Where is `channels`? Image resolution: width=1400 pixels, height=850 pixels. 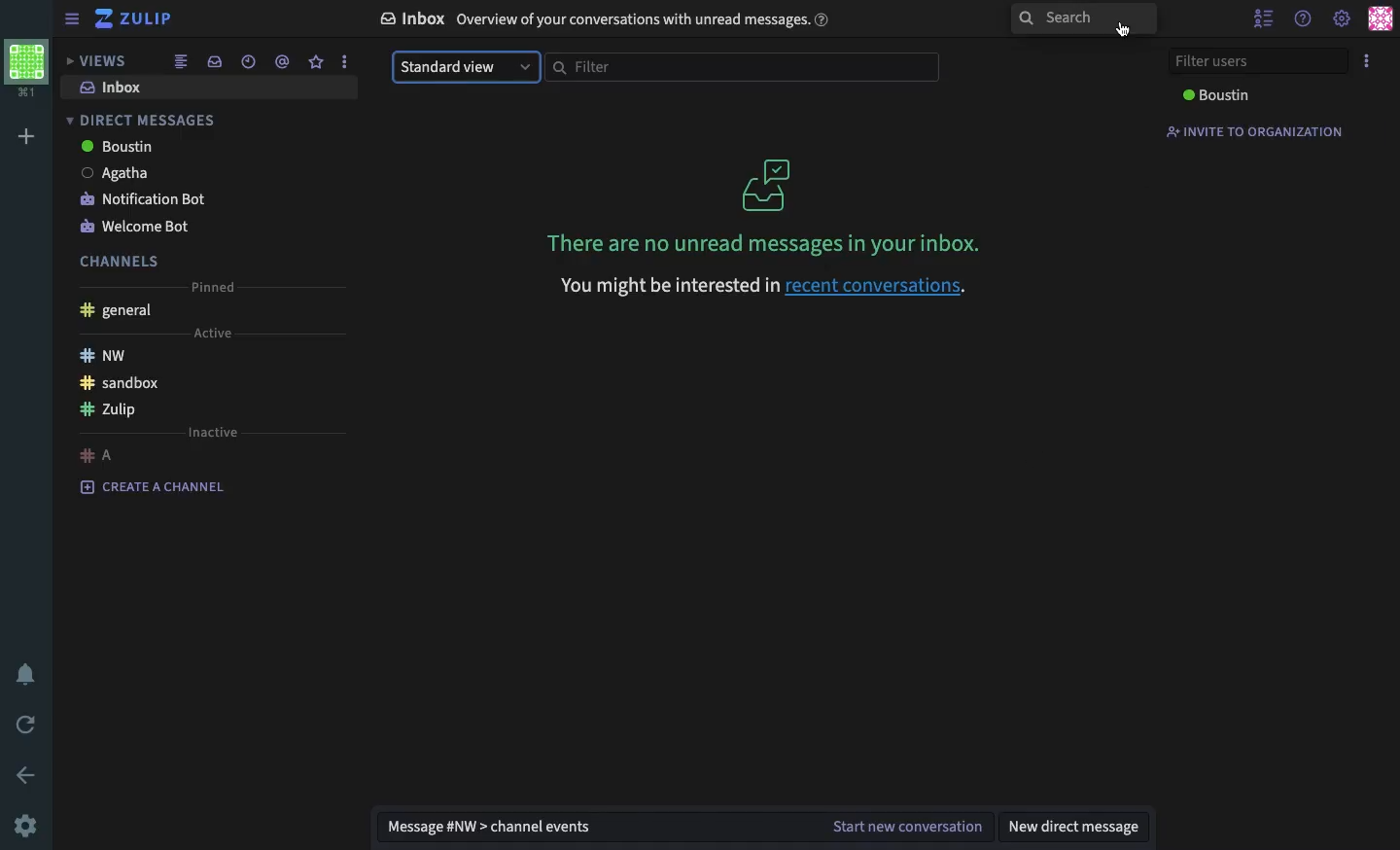 channels is located at coordinates (121, 261).